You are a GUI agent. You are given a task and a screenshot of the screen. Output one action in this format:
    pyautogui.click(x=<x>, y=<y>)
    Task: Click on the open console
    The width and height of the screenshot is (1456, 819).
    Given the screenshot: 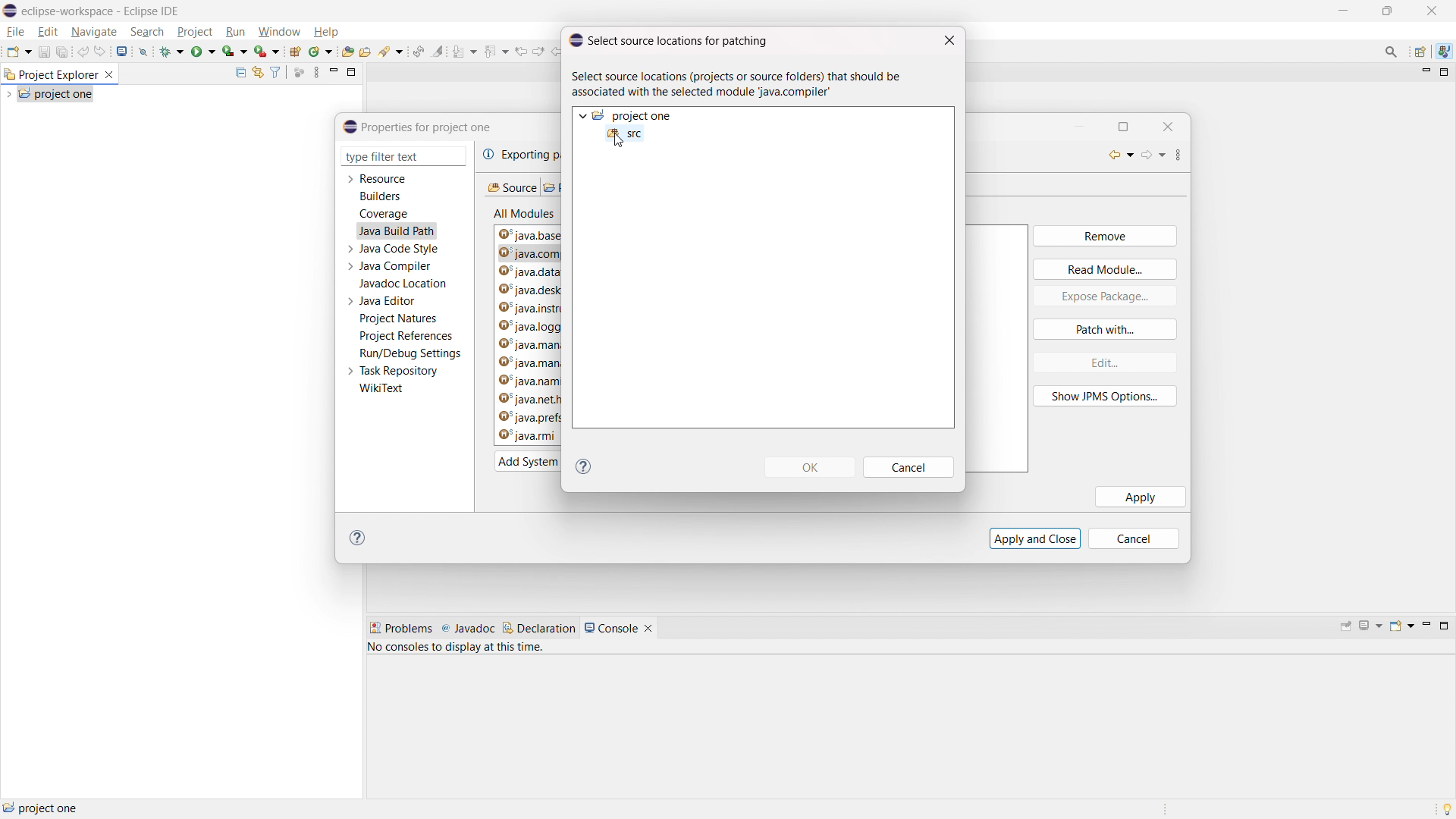 What is the action you would take?
    pyautogui.click(x=1401, y=626)
    